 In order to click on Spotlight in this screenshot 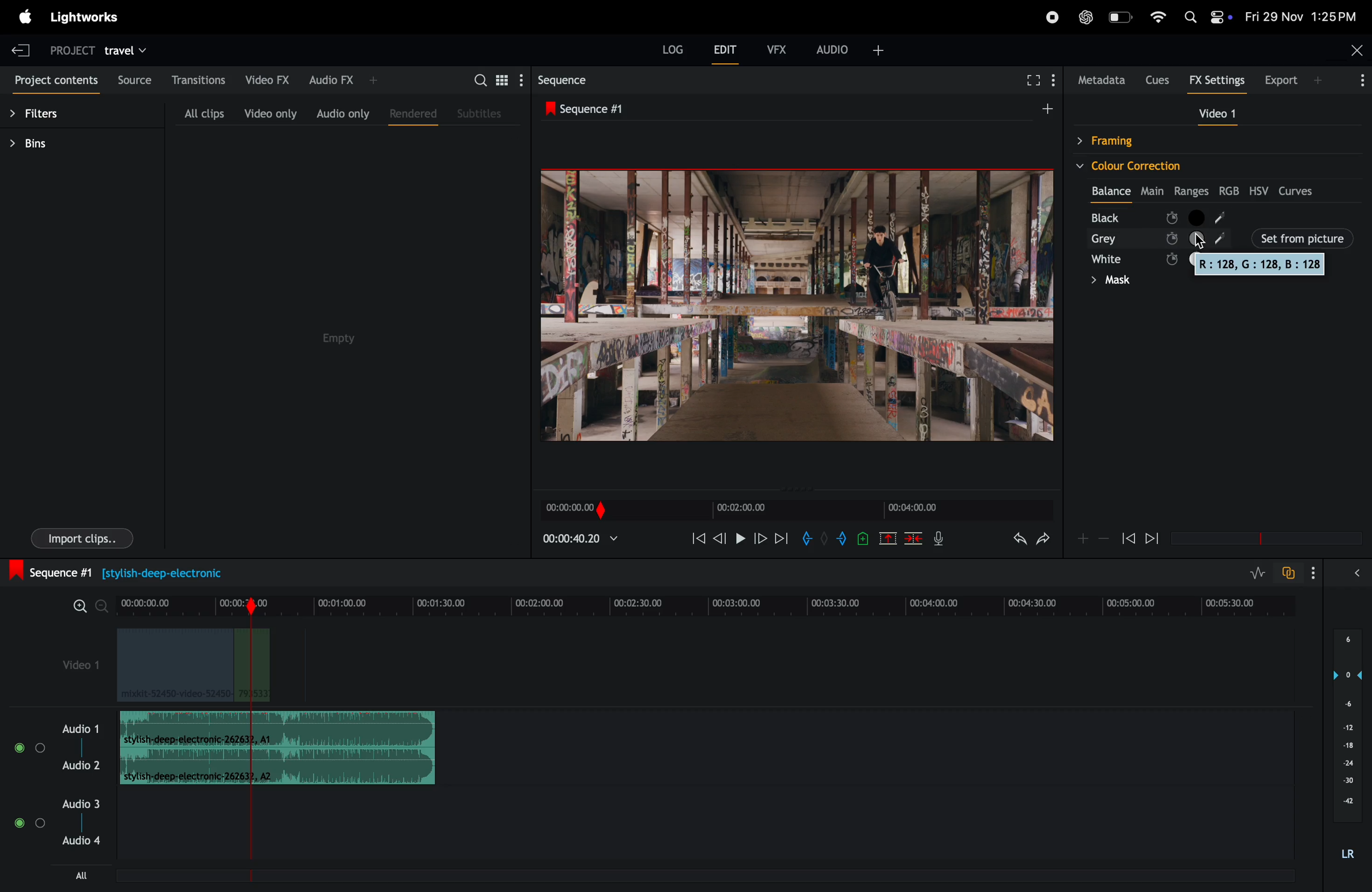, I will do `click(1192, 16)`.